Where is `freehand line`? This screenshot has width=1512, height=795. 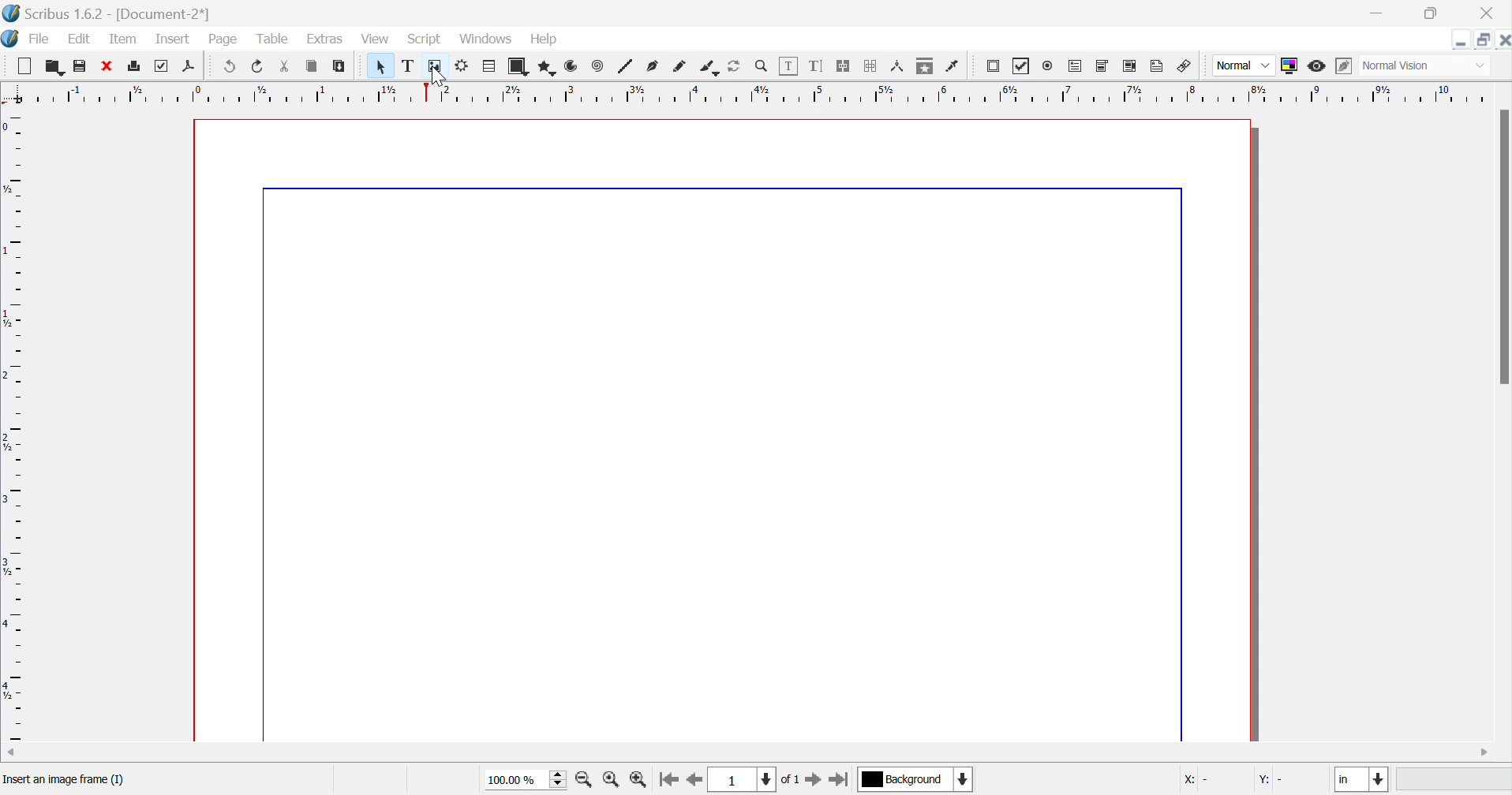
freehand line is located at coordinates (679, 66).